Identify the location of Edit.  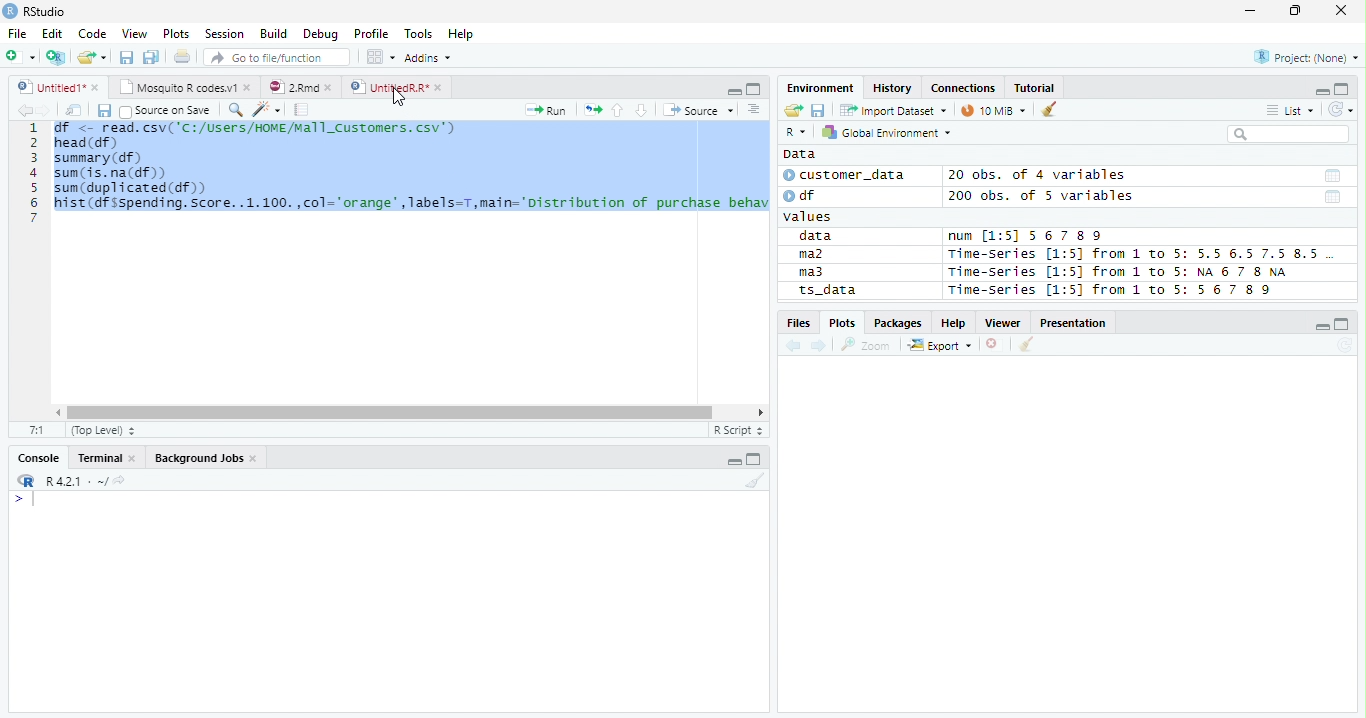
(51, 32).